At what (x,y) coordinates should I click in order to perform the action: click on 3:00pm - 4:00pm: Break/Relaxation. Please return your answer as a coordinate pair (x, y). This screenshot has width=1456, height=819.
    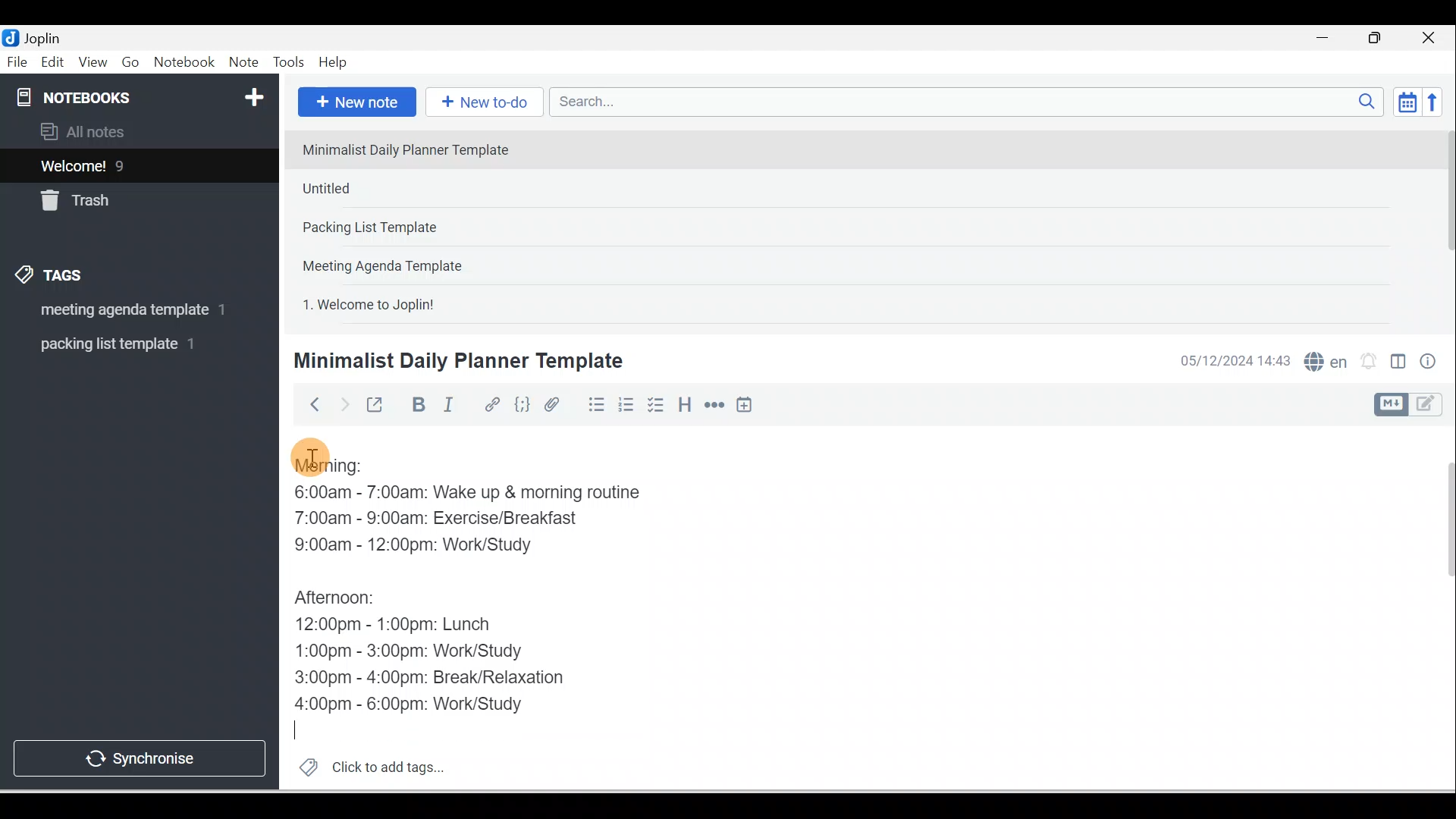
    Looking at the image, I should click on (462, 679).